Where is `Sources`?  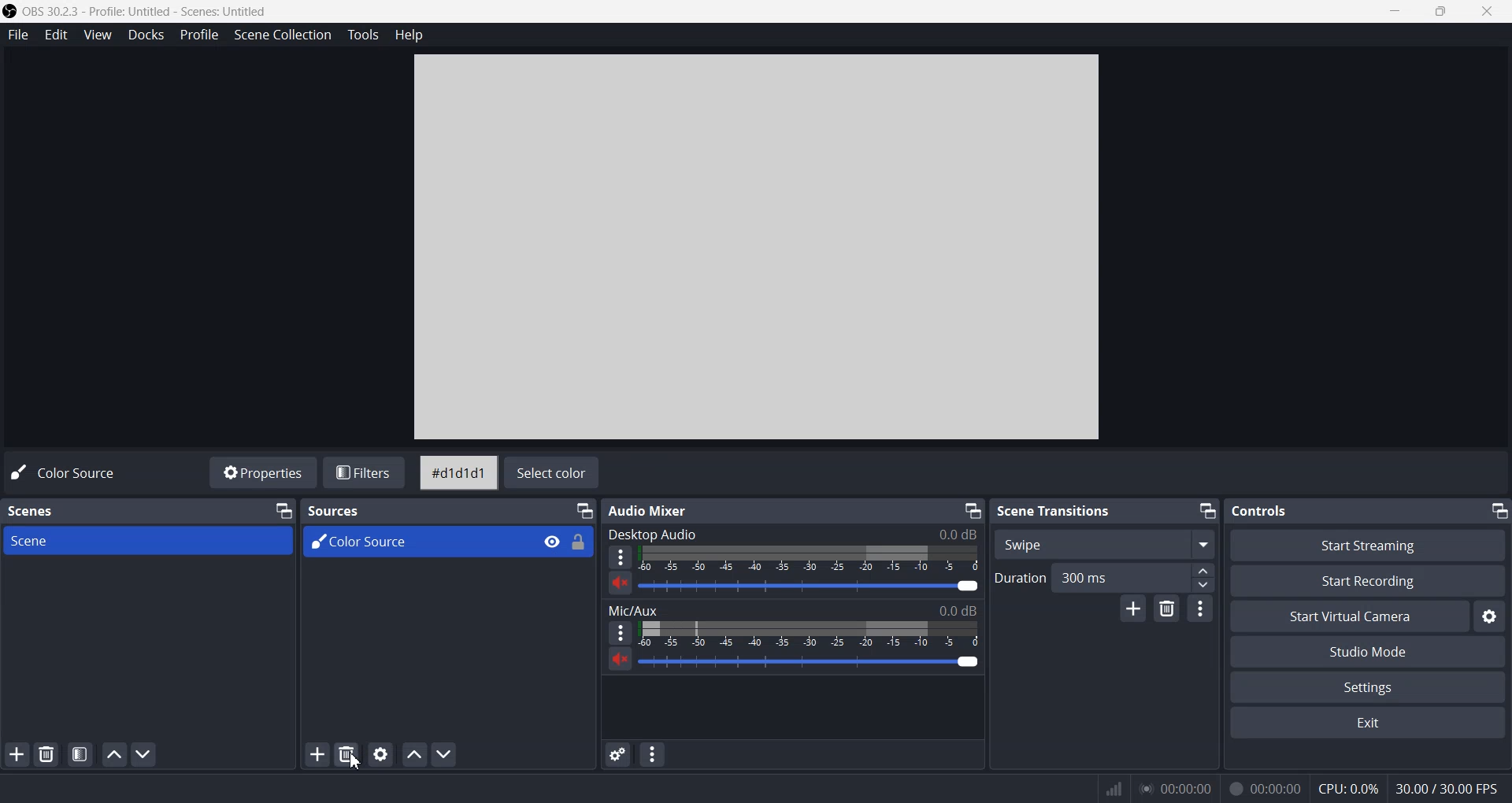 Sources is located at coordinates (335, 509).